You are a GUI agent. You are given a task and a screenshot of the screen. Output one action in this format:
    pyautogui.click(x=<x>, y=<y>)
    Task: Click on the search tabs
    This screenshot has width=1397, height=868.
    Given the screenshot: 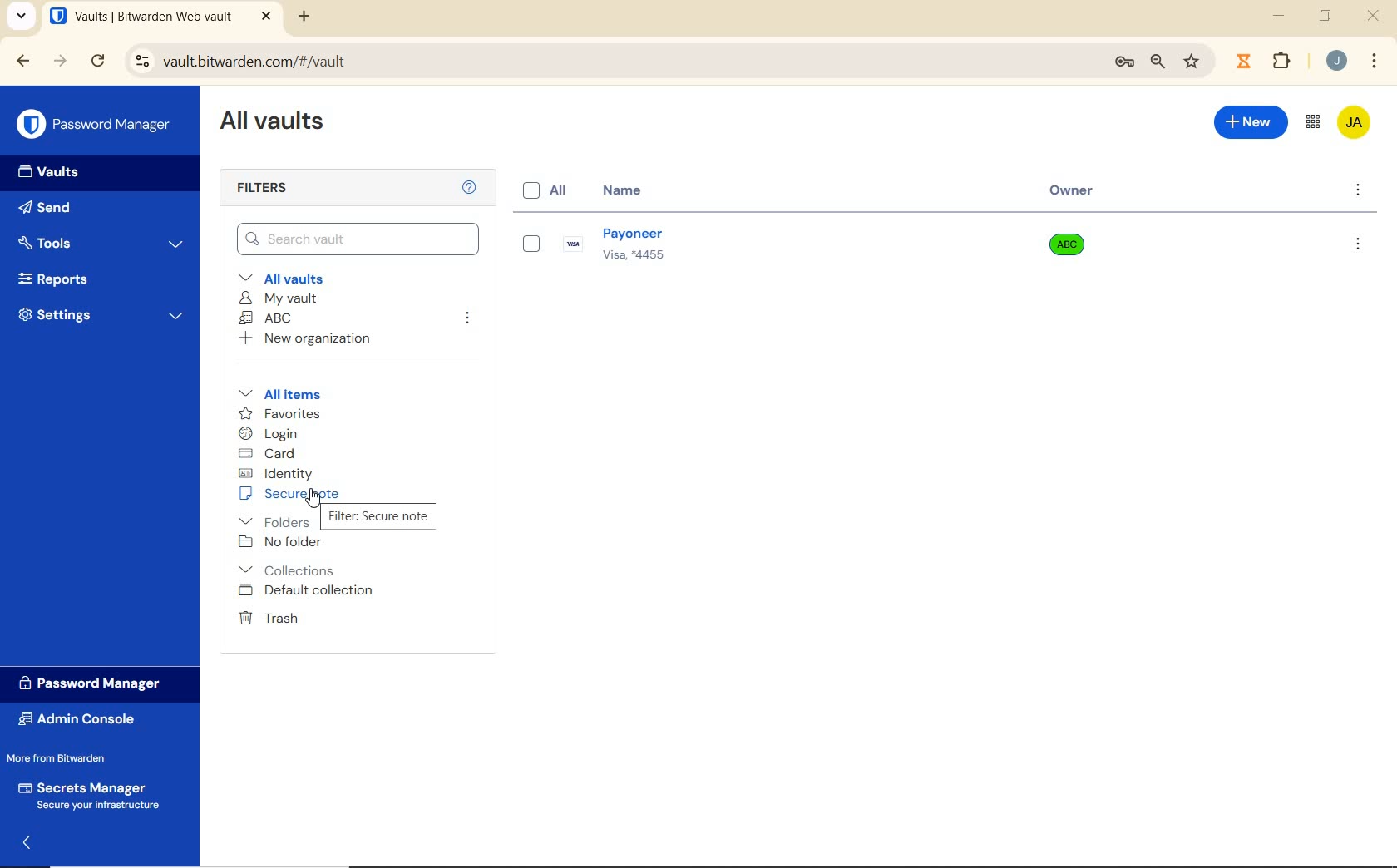 What is the action you would take?
    pyautogui.click(x=23, y=18)
    